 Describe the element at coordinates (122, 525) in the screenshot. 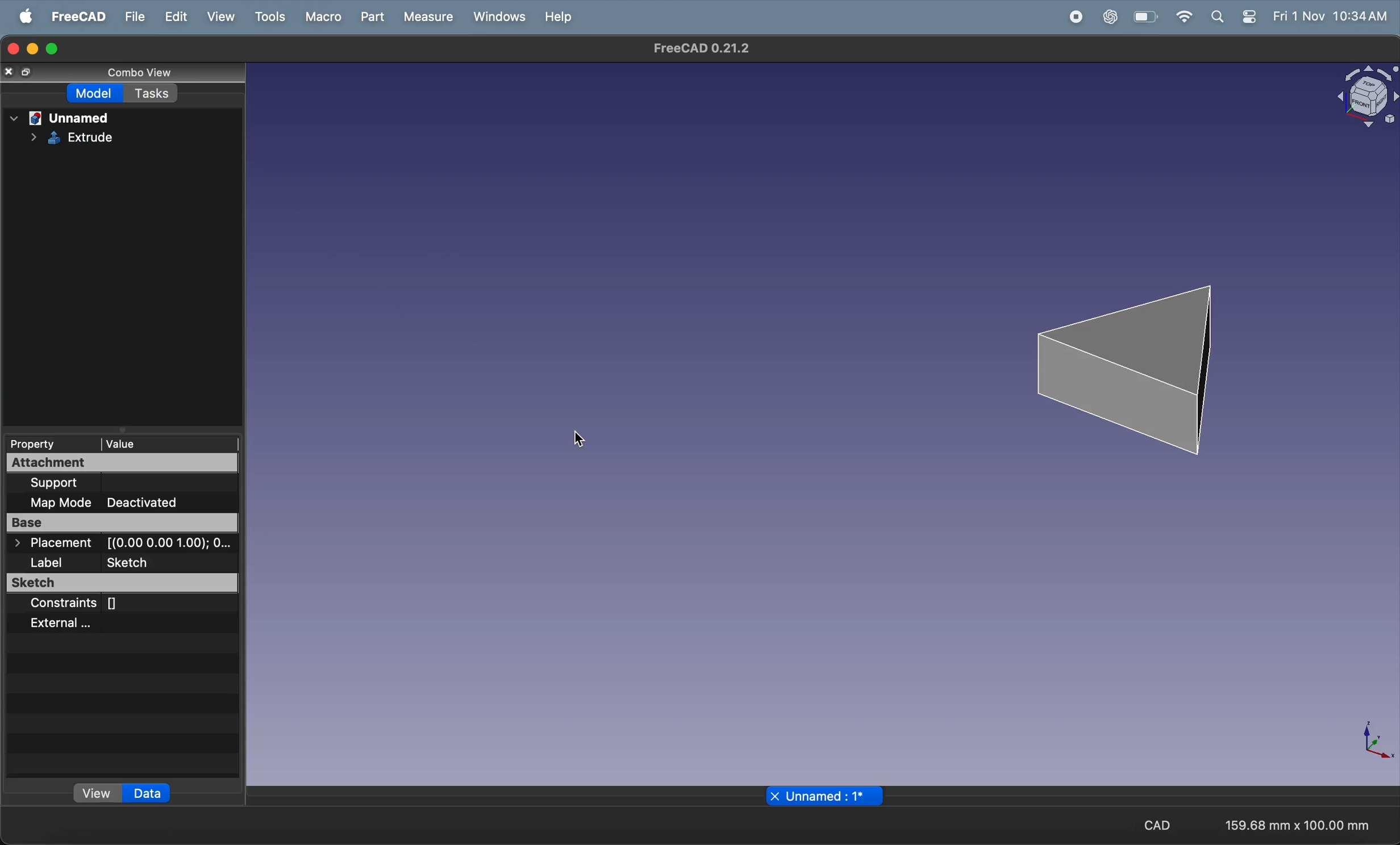

I see `base` at that location.